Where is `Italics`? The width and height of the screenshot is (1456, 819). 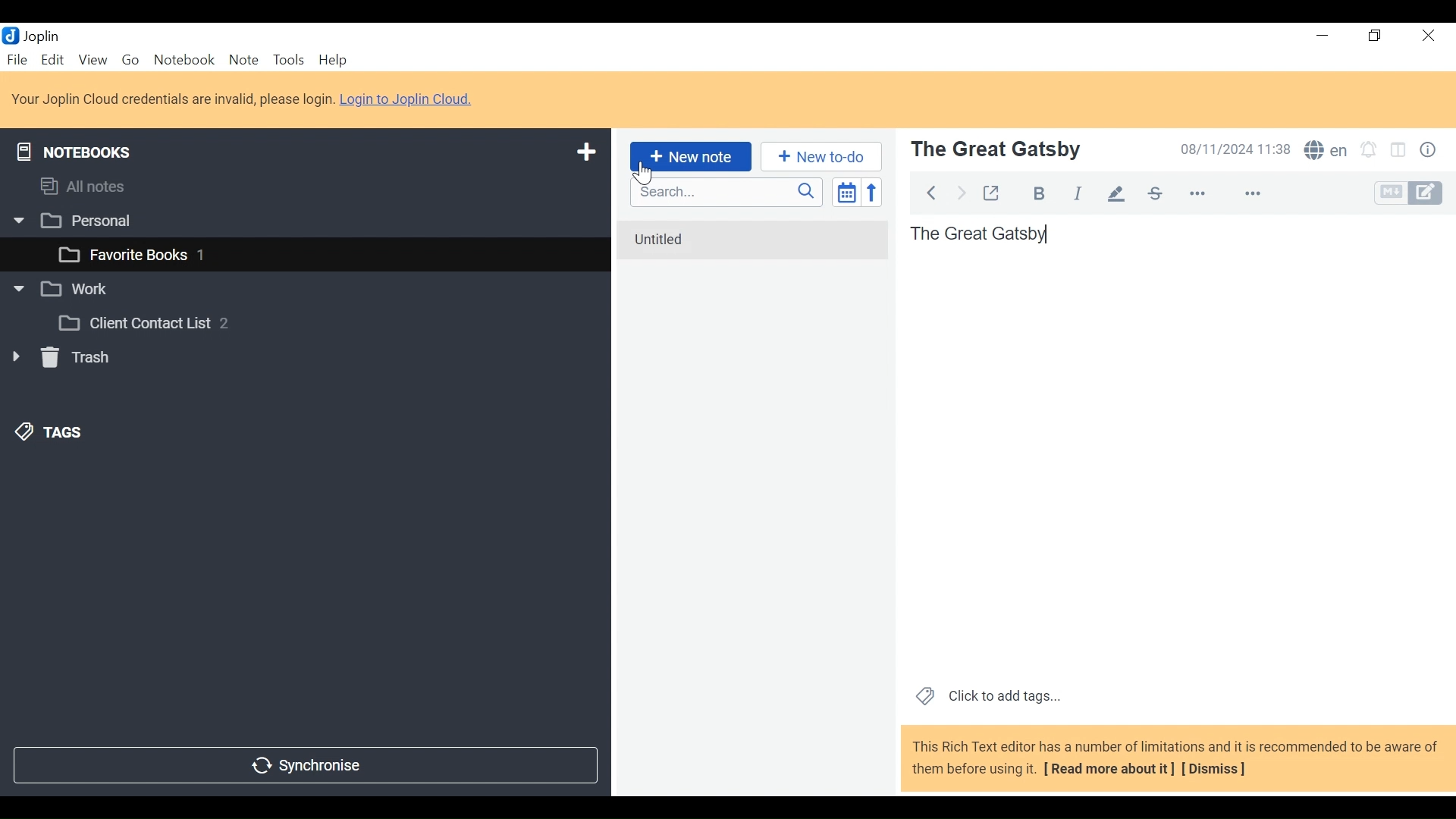 Italics is located at coordinates (1077, 194).